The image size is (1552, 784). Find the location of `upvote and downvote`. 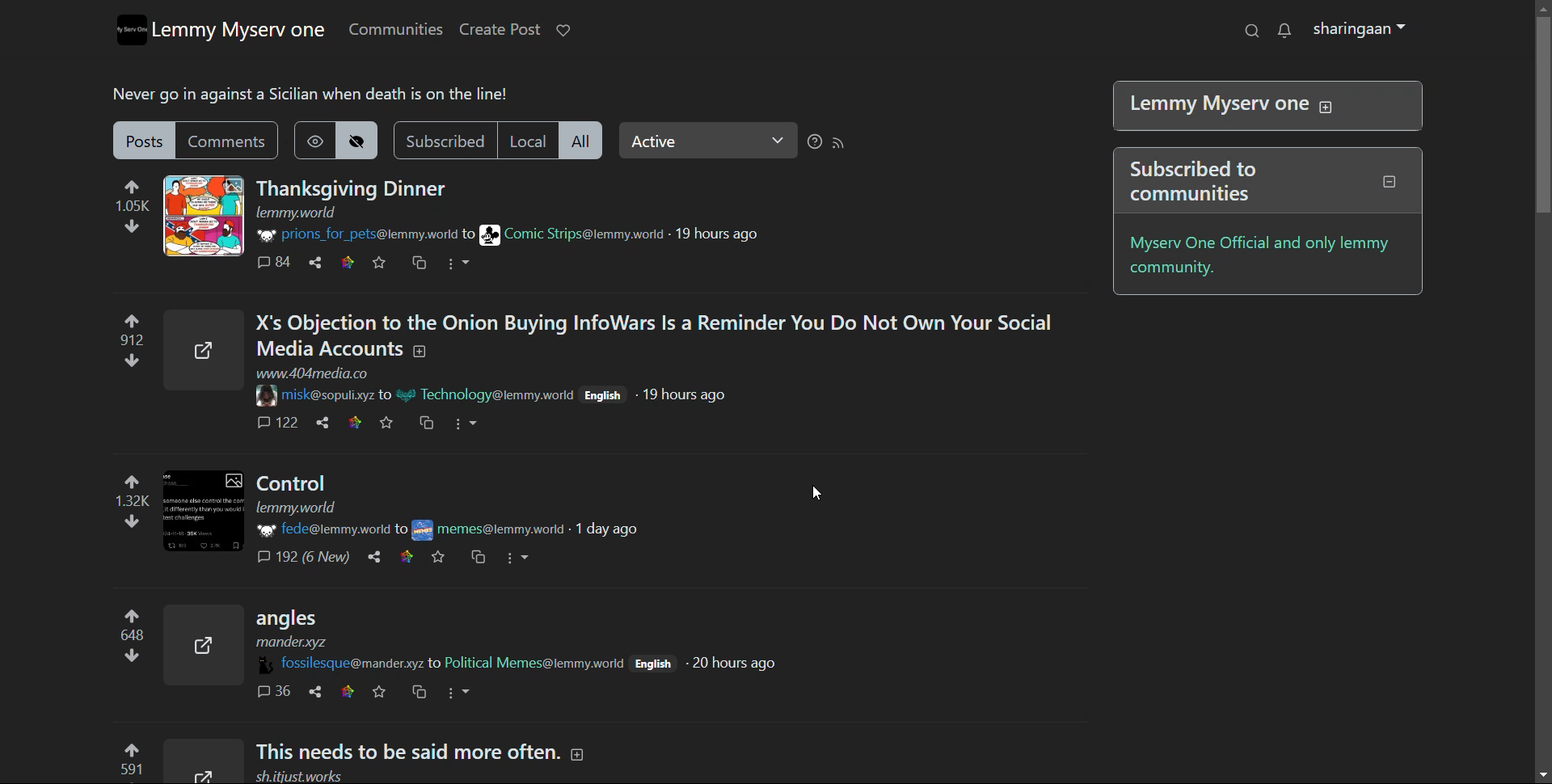

upvote and downvote is located at coordinates (119, 499).